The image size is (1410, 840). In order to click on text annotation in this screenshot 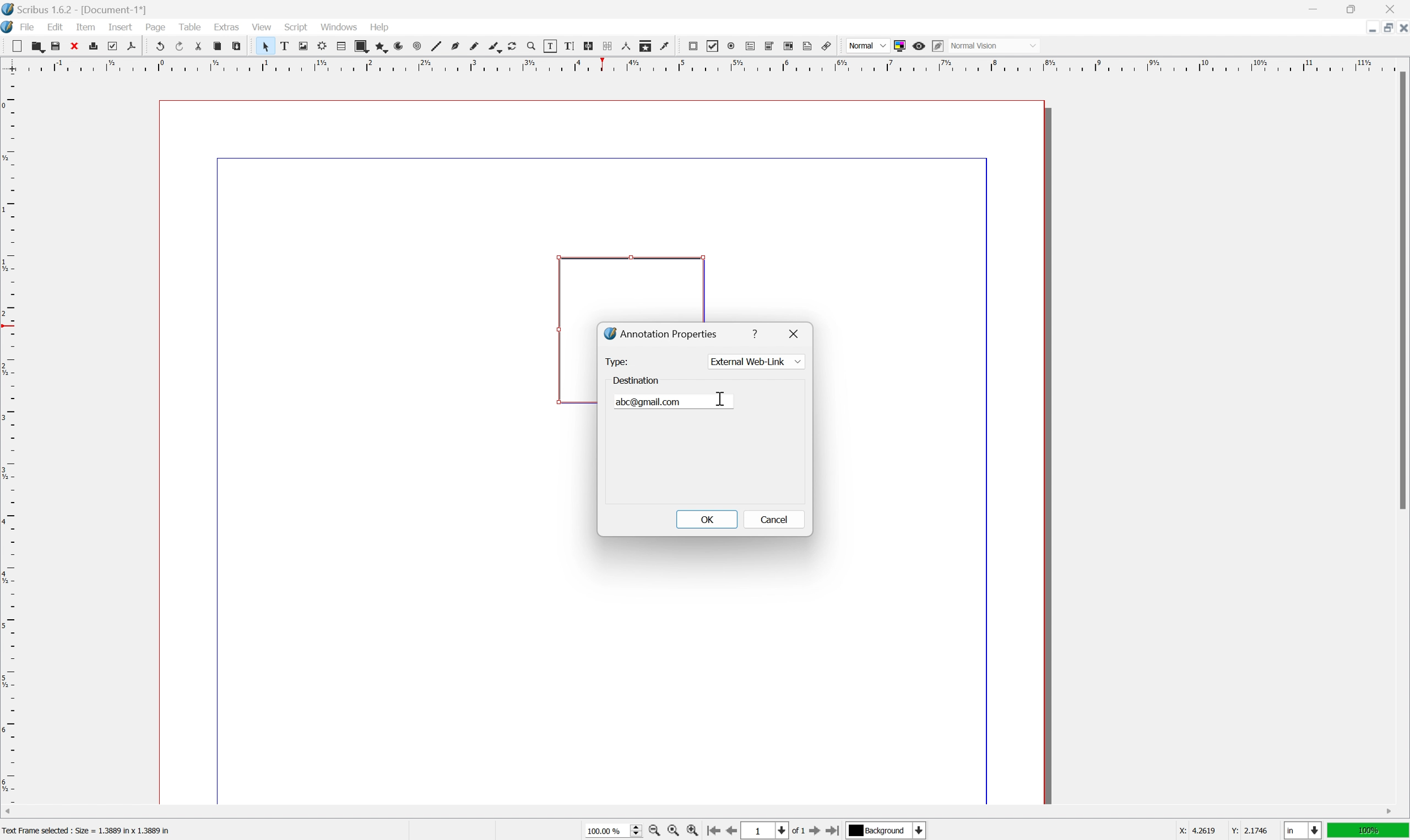, I will do `click(808, 45)`.